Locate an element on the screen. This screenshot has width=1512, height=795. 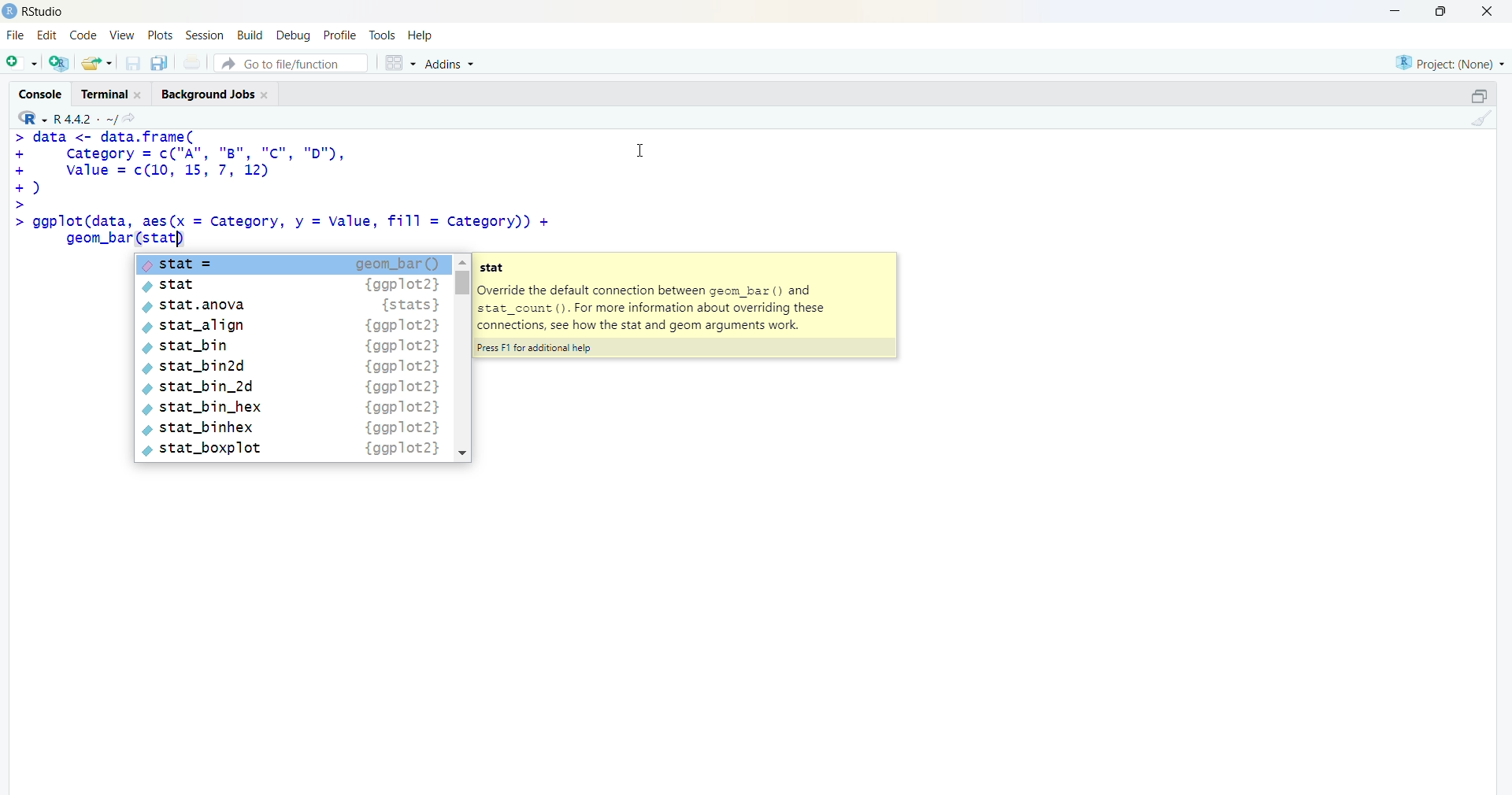
save current document is located at coordinates (132, 63).